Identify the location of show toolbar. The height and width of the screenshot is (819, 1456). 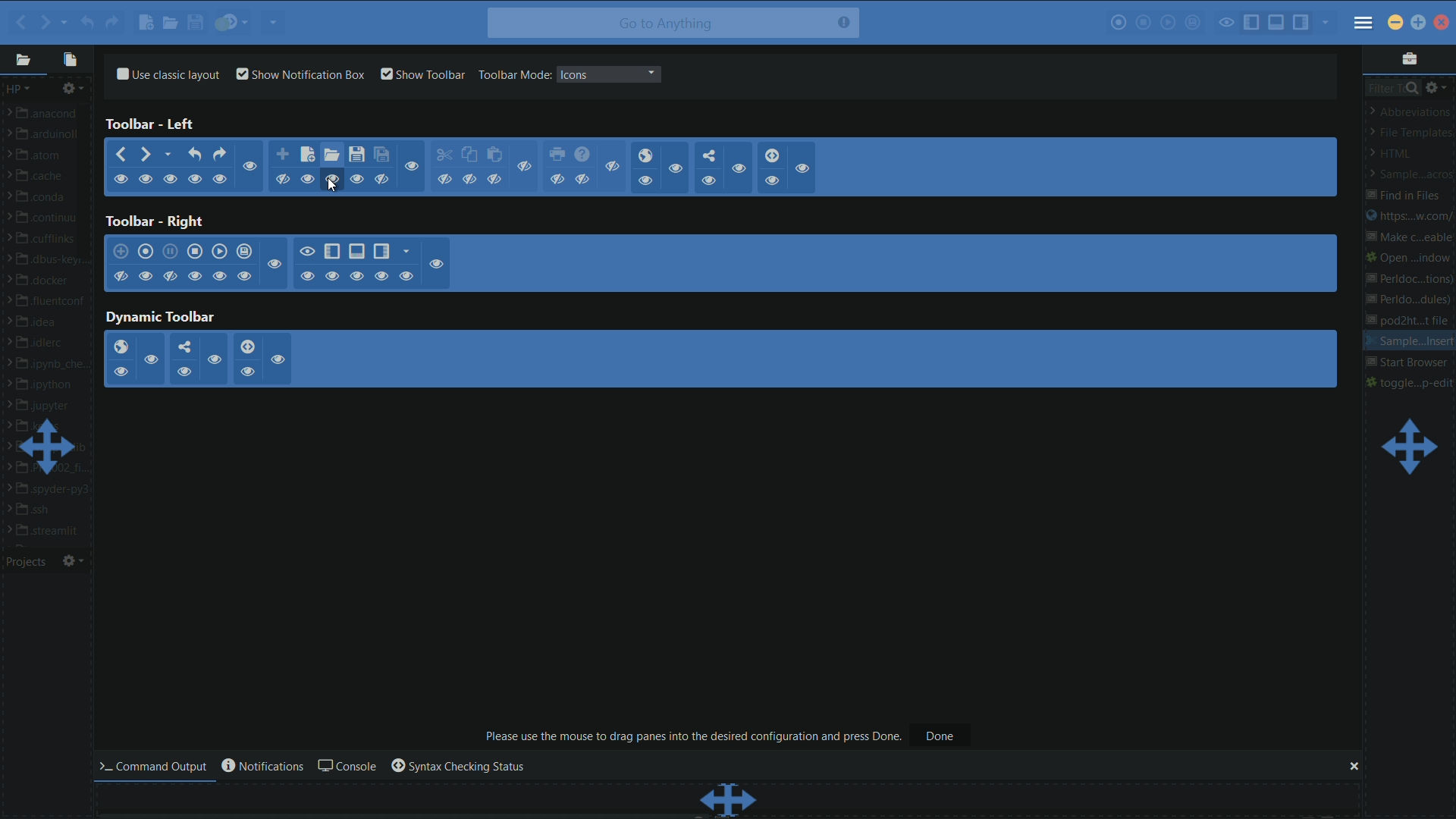
(423, 74).